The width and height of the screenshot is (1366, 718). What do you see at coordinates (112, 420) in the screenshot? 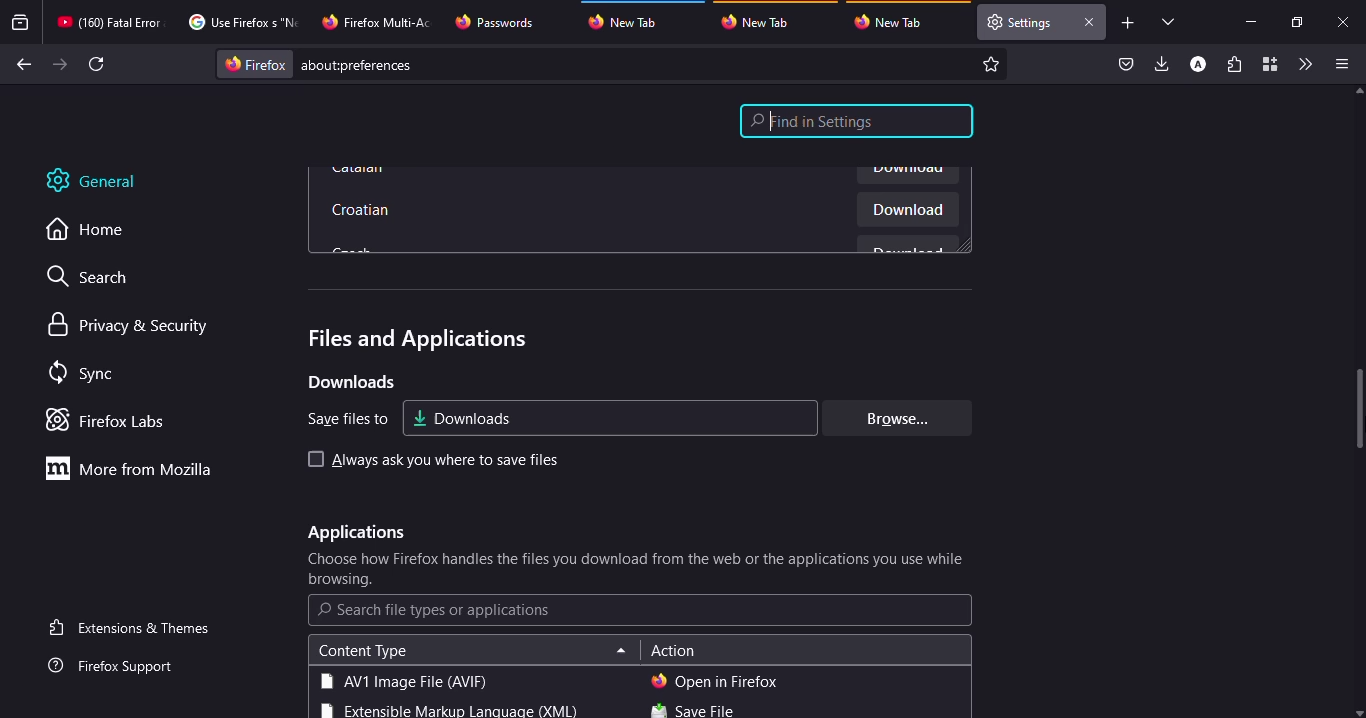
I see `firefox labs` at bounding box center [112, 420].